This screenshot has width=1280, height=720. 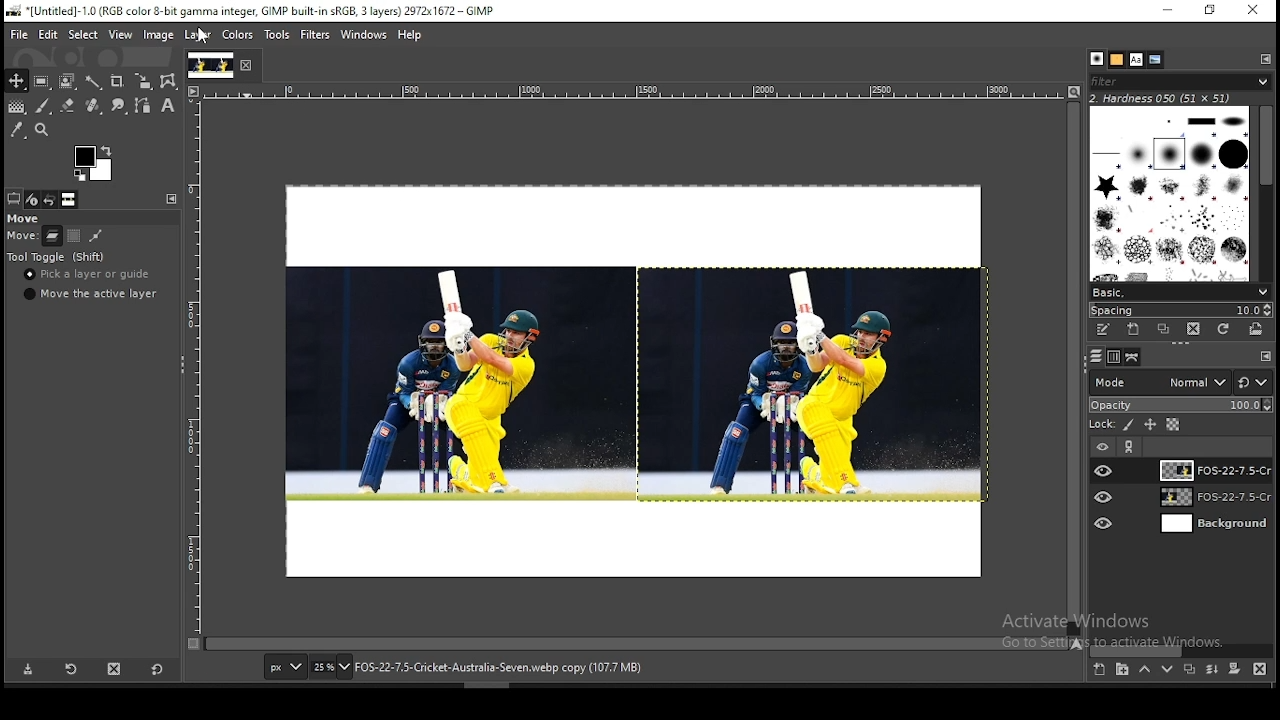 I want to click on lock alpha channel, so click(x=1172, y=425).